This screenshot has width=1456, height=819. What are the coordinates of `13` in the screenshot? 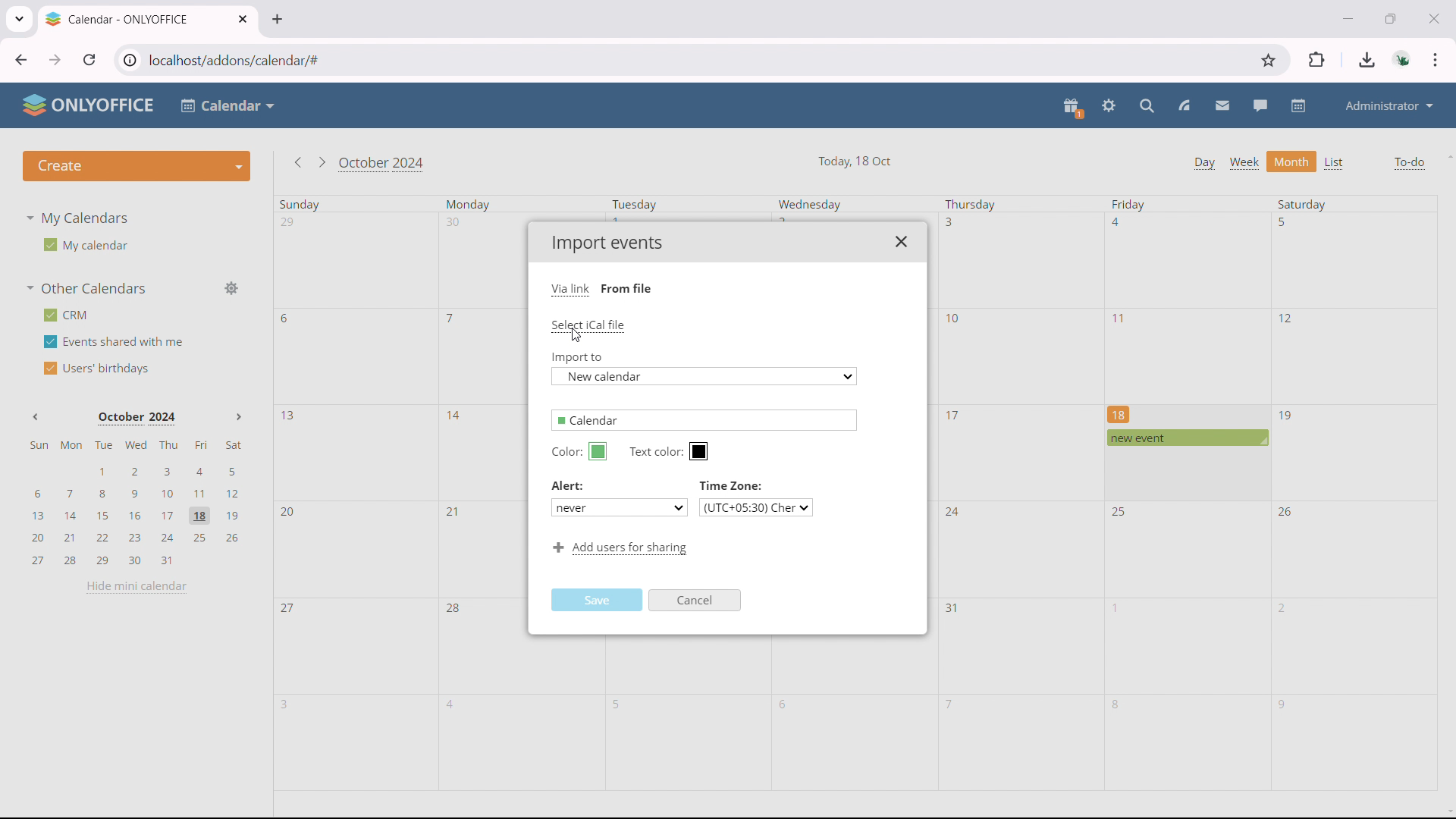 It's located at (289, 416).